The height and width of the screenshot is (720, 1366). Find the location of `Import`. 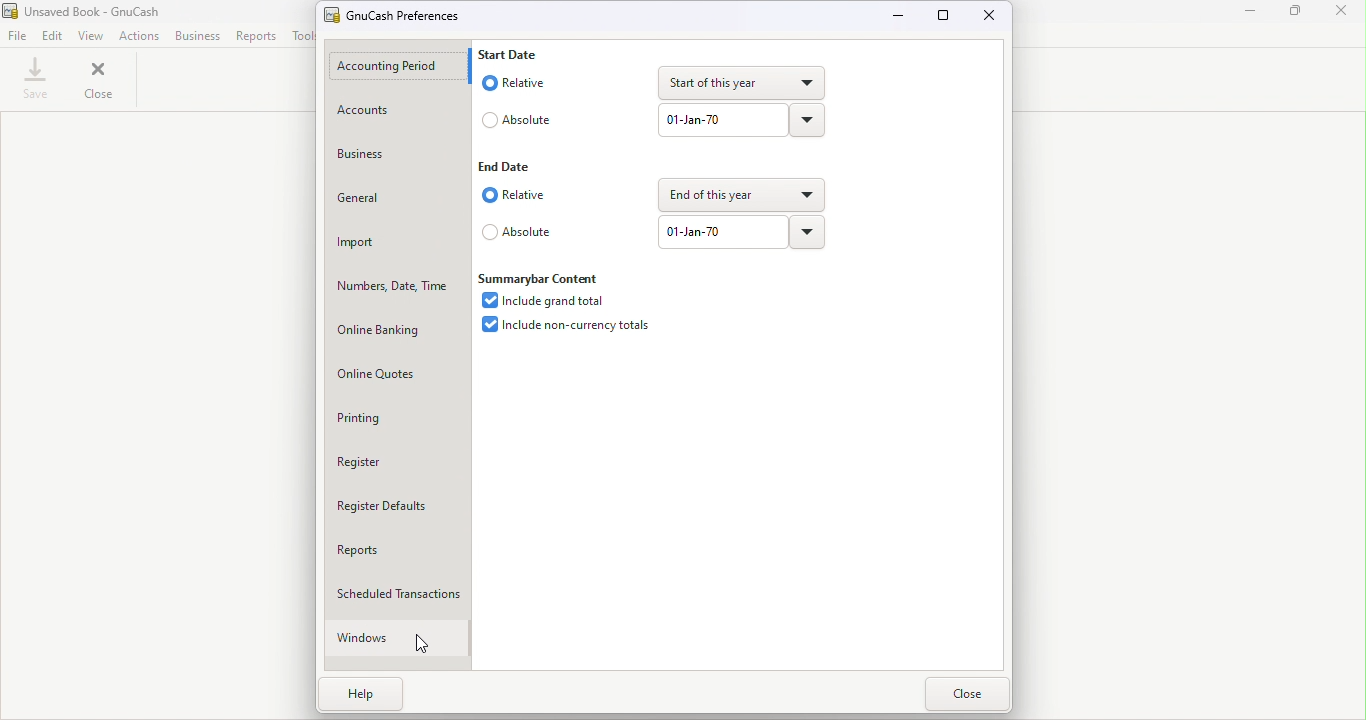

Import is located at coordinates (397, 240).